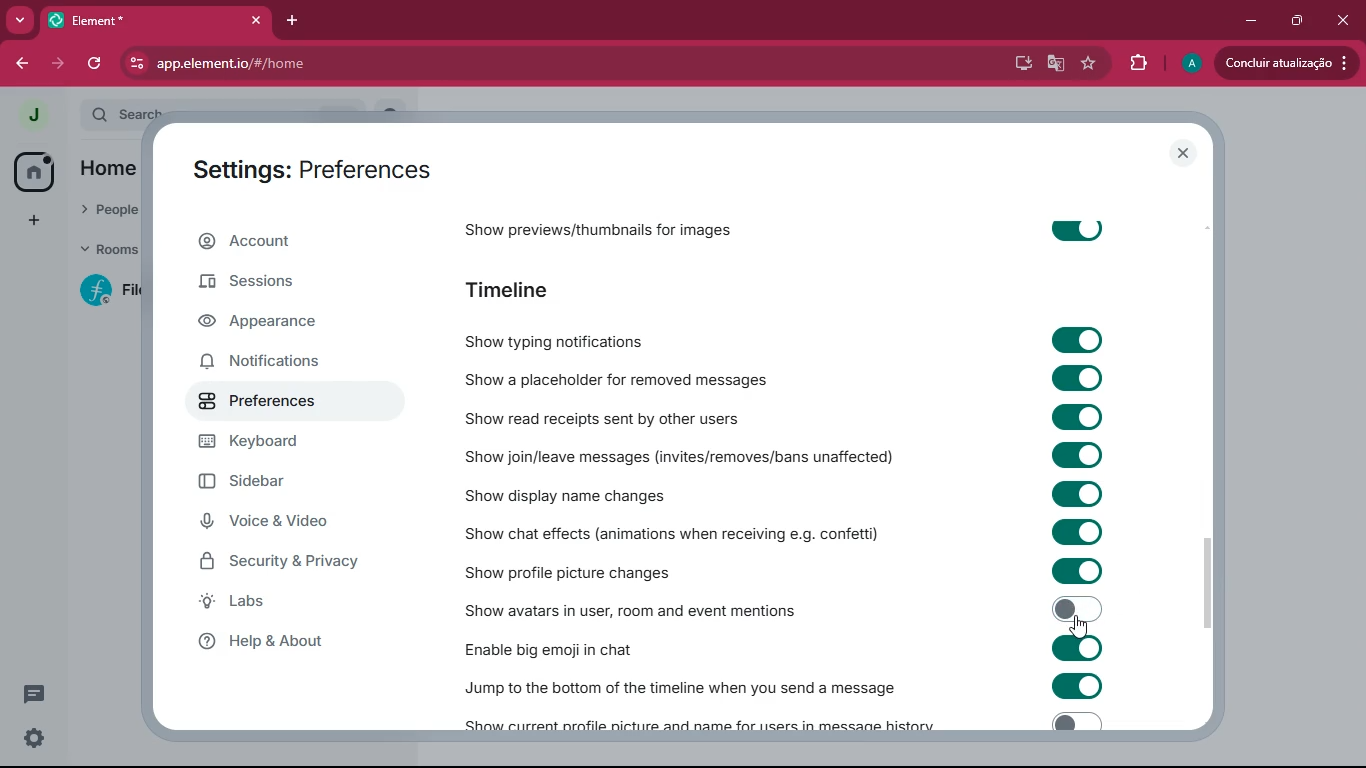 The height and width of the screenshot is (768, 1366). Describe the element at coordinates (1081, 455) in the screenshot. I see `toggle on ` at that location.